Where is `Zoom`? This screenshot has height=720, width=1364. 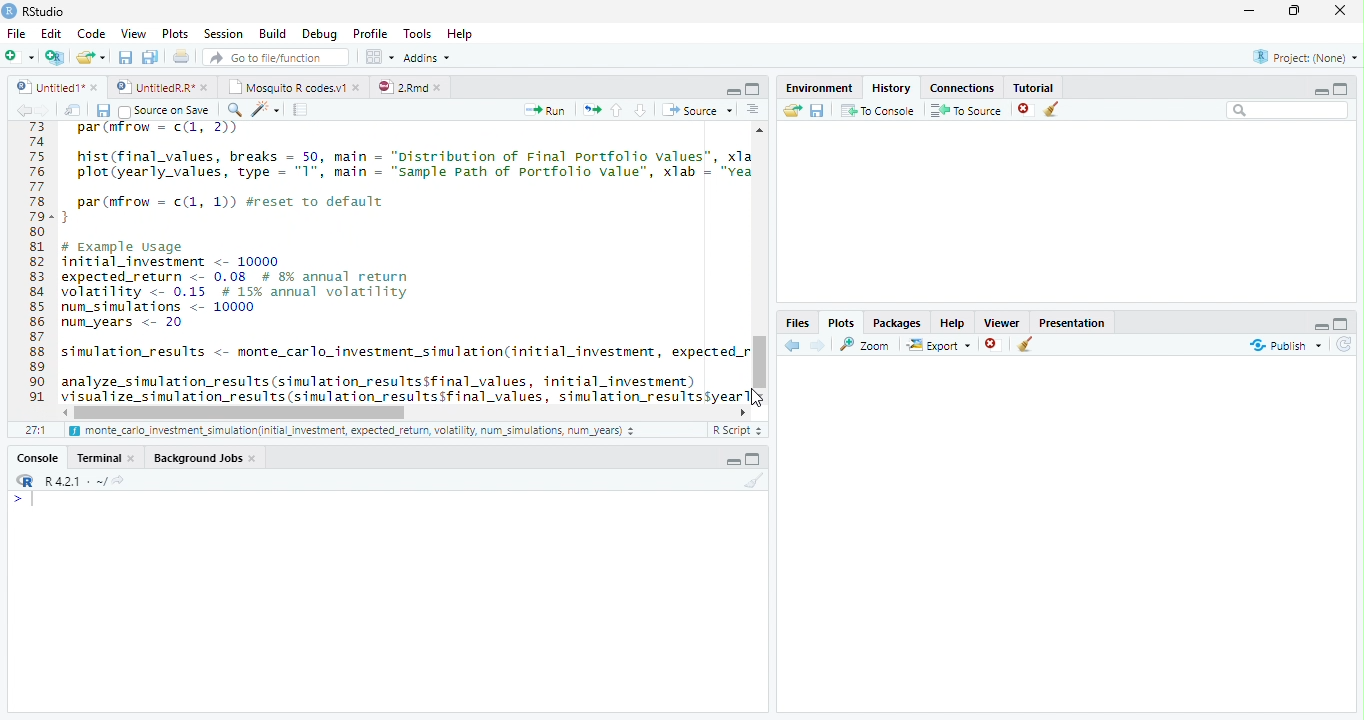
Zoom is located at coordinates (866, 344).